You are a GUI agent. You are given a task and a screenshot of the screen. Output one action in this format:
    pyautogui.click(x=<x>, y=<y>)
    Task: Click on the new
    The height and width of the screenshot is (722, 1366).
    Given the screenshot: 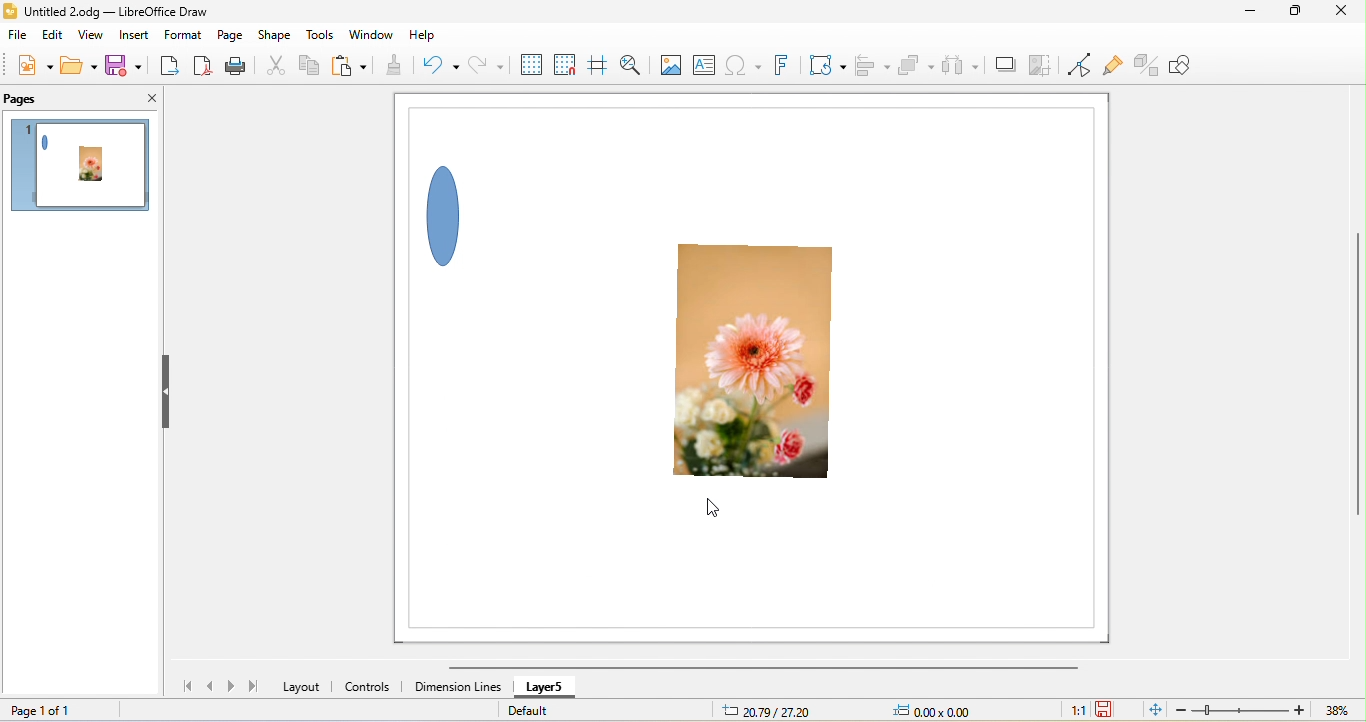 What is the action you would take?
    pyautogui.click(x=35, y=68)
    